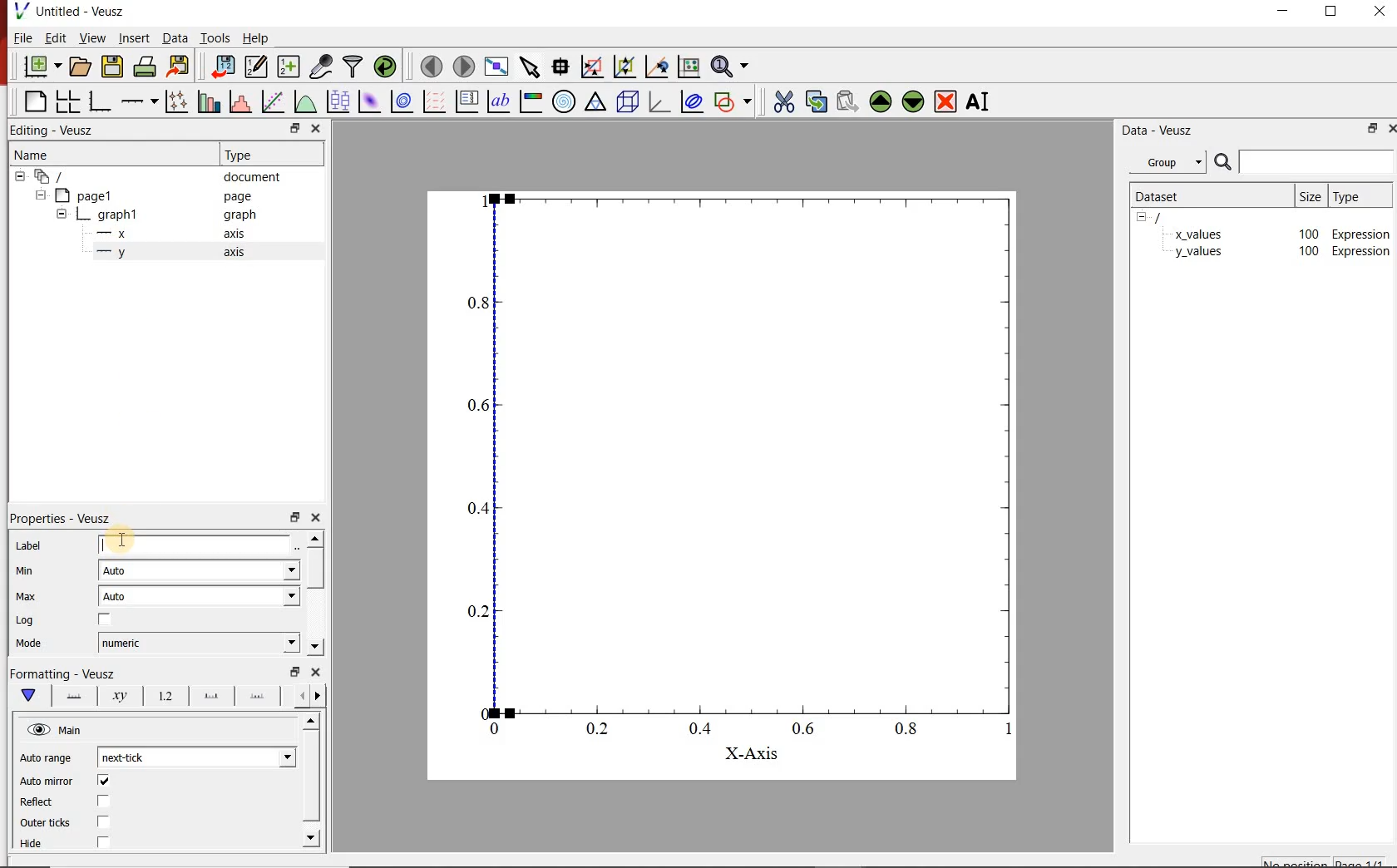 Image resolution: width=1397 pixels, height=868 pixels. I want to click on checkbox, so click(105, 779).